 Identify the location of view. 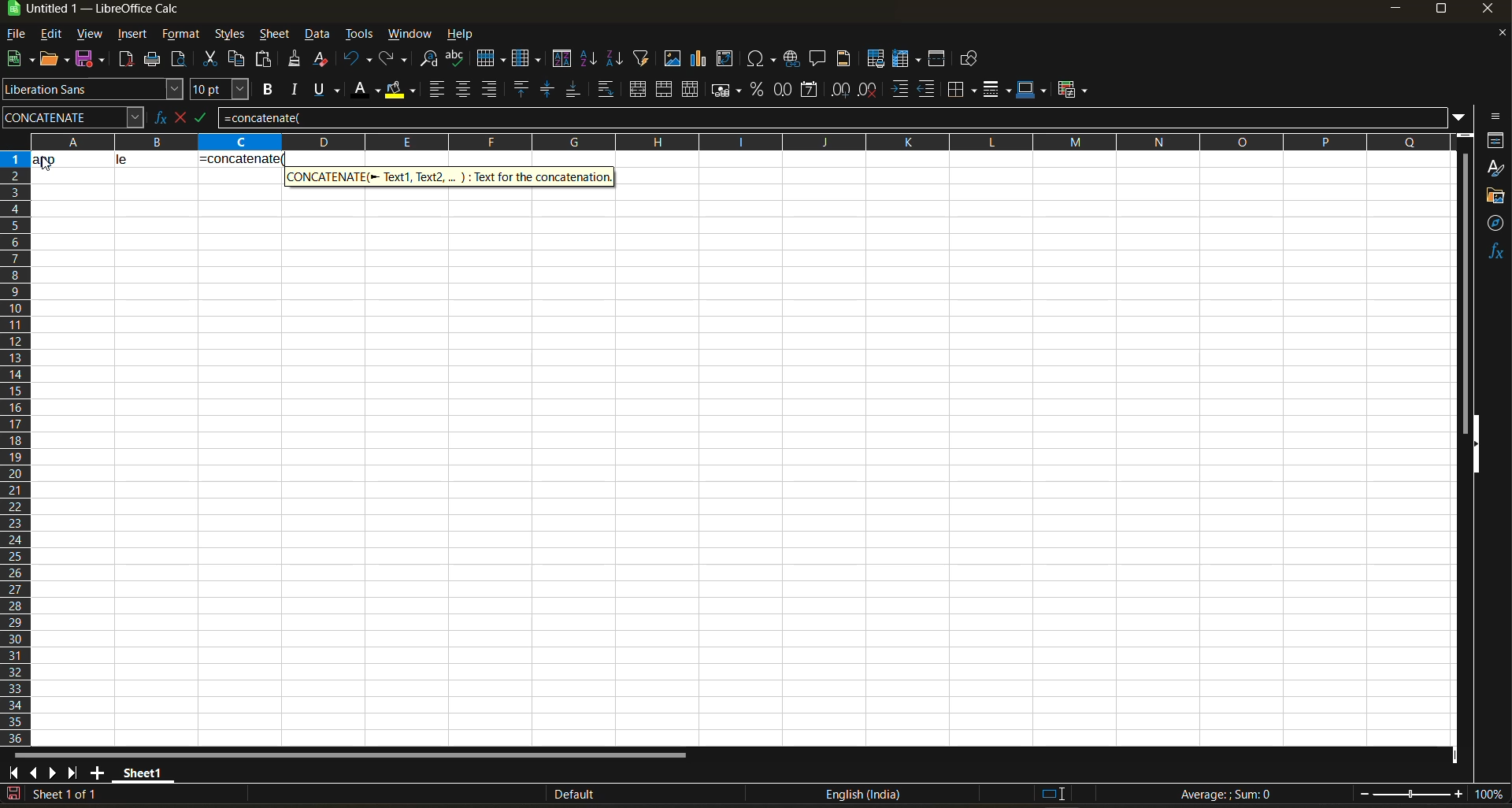
(89, 35).